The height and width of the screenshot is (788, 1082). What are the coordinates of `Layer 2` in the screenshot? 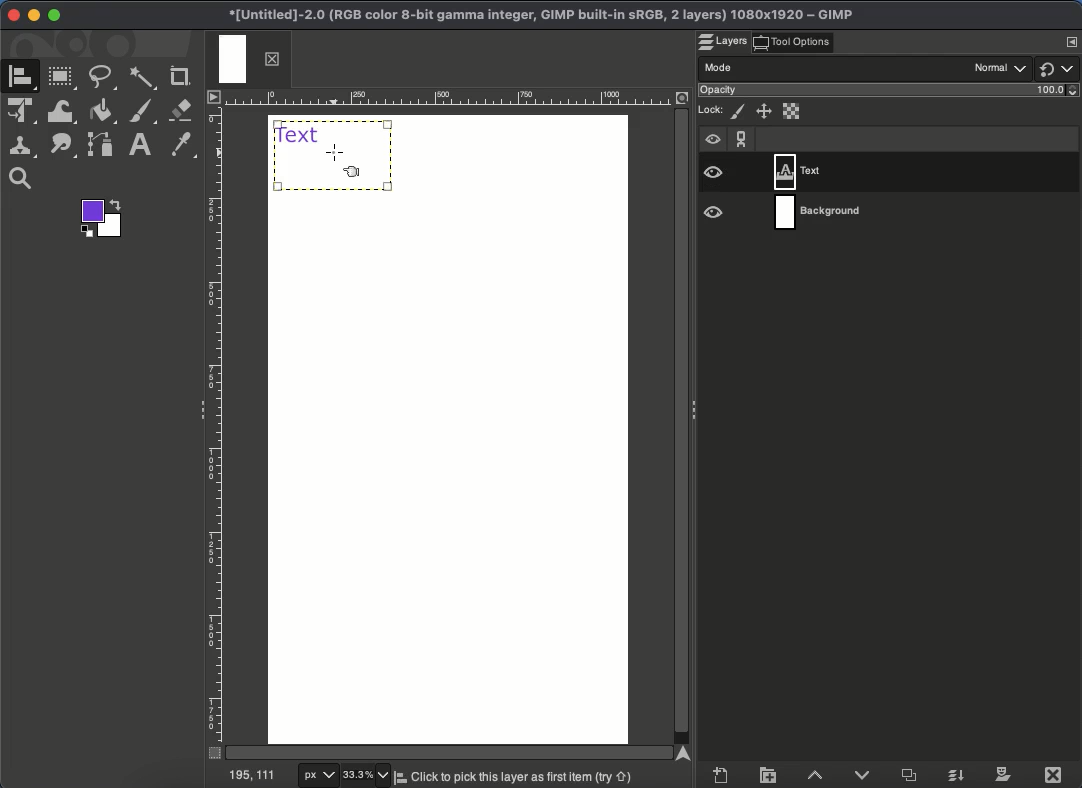 It's located at (927, 212).